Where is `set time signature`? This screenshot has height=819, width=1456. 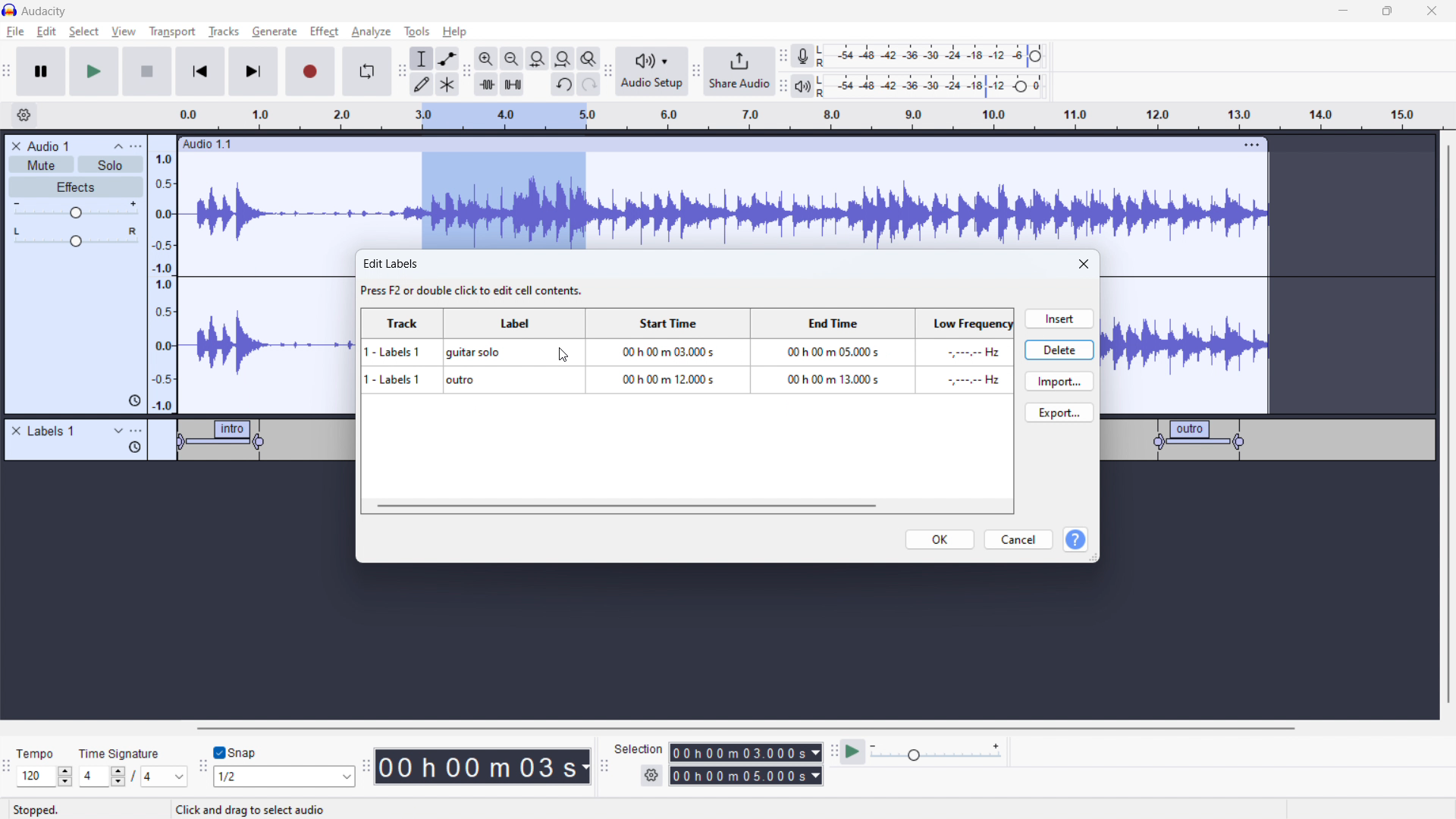
set time signature is located at coordinates (134, 776).